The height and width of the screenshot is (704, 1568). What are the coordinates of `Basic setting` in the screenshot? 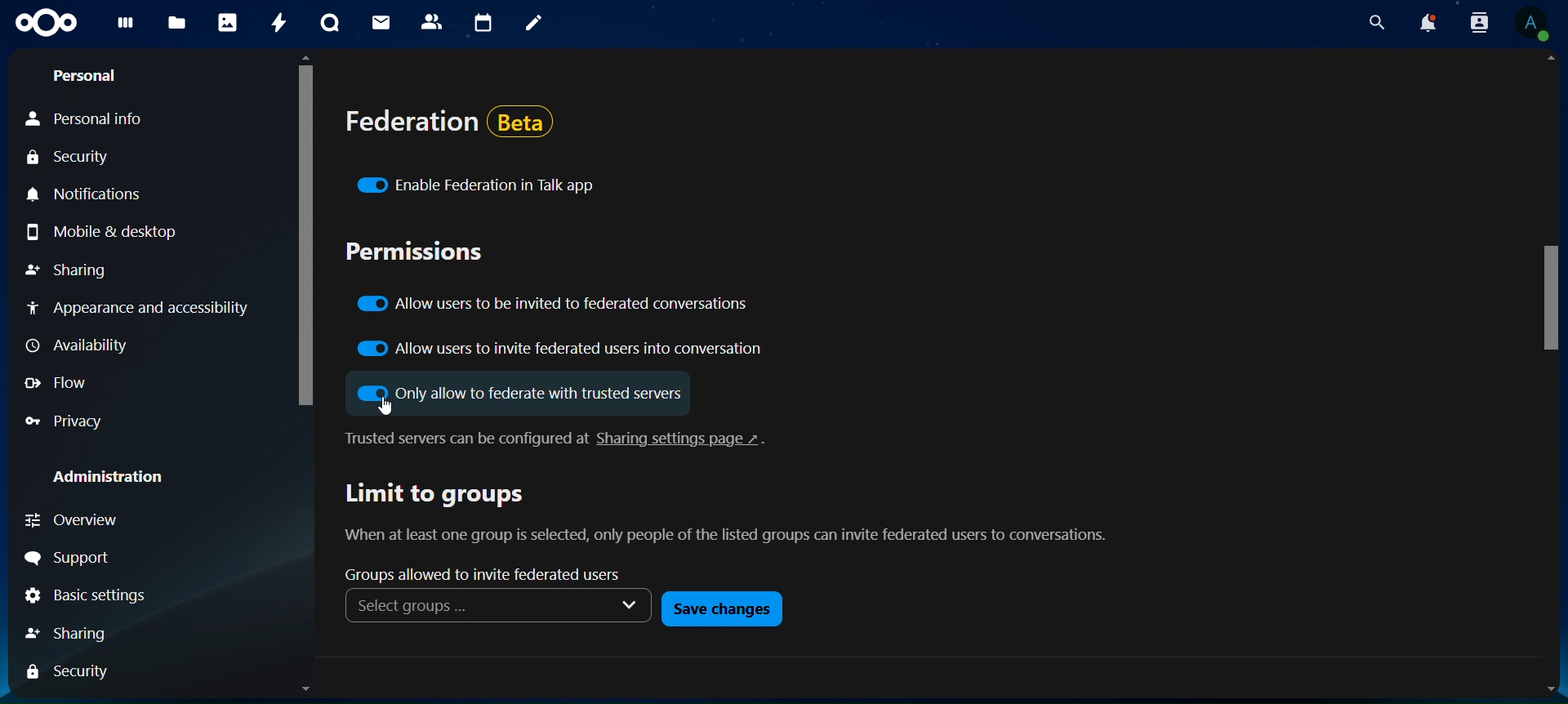 It's located at (91, 595).